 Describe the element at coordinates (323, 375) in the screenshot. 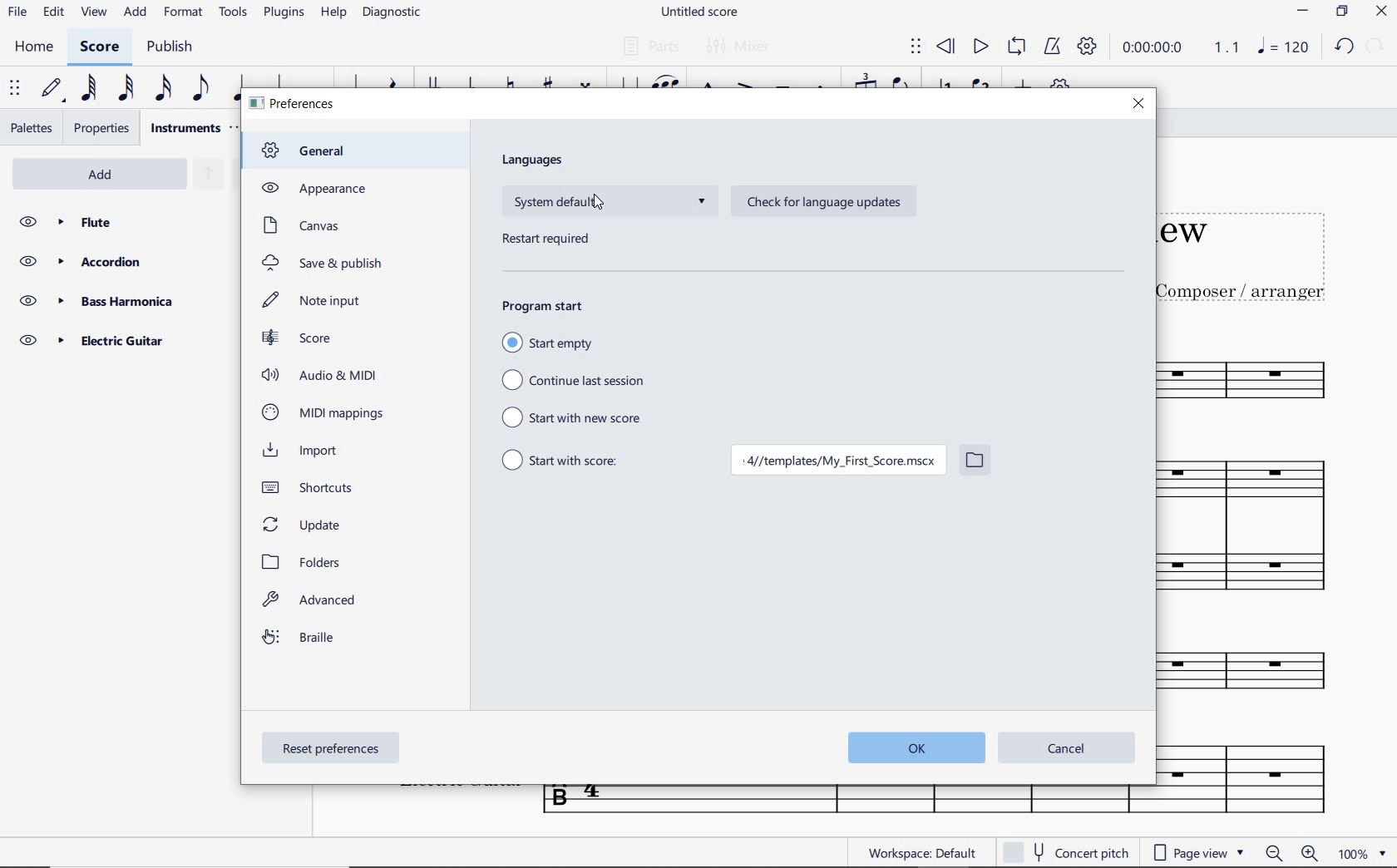

I see `audio & MIDI` at that location.